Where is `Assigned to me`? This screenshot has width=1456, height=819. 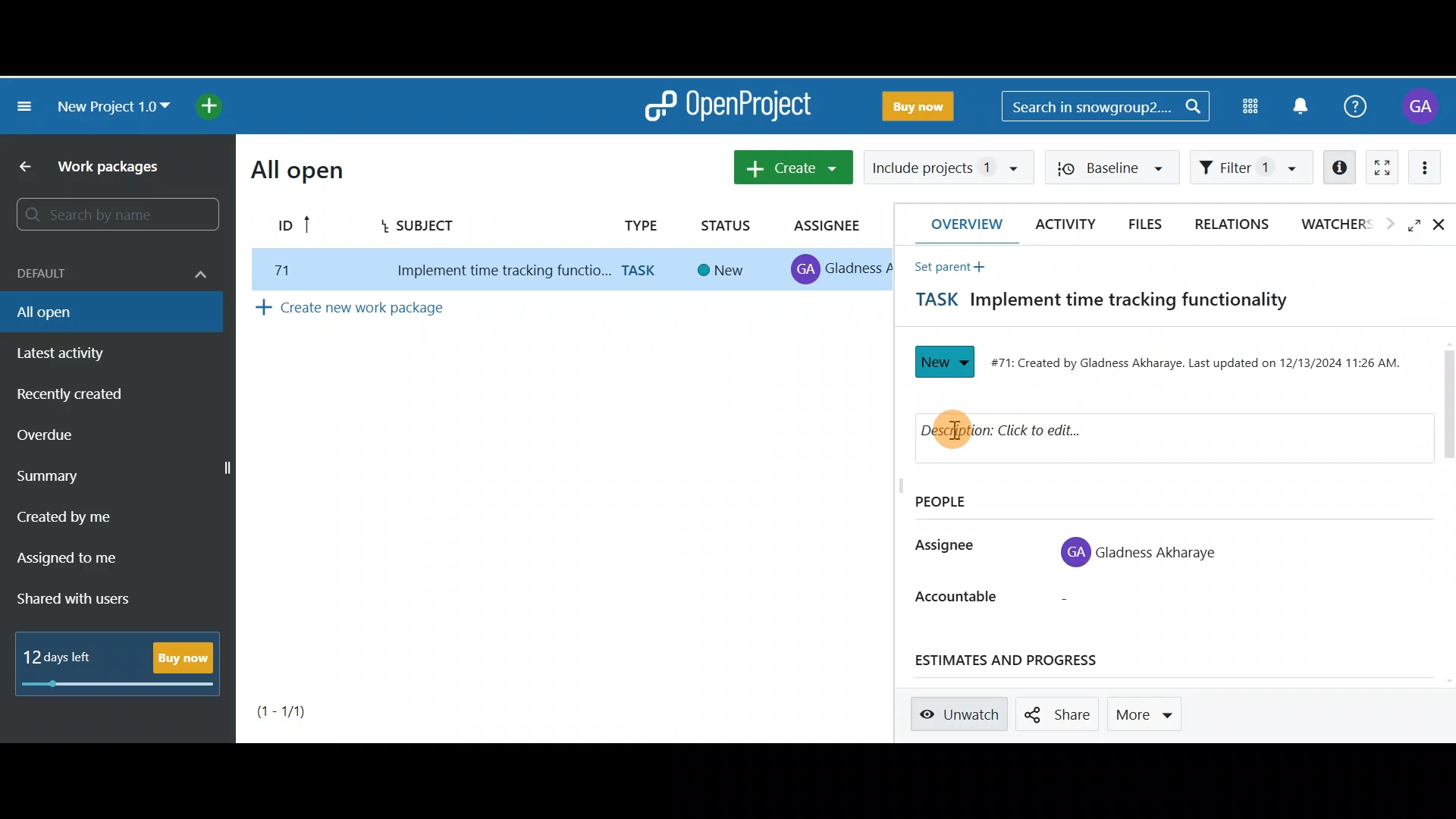 Assigned to me is located at coordinates (74, 557).